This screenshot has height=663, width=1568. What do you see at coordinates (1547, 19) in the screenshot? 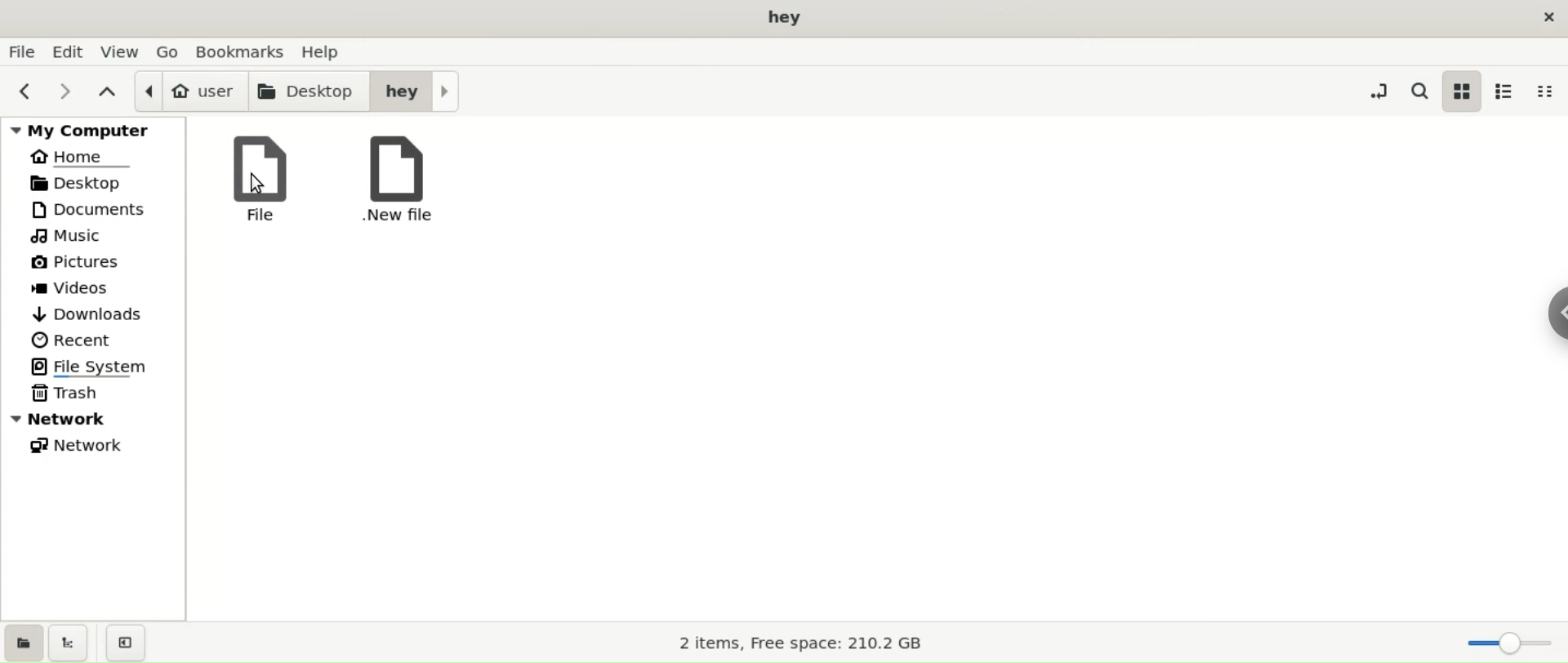
I see `close` at bounding box center [1547, 19].